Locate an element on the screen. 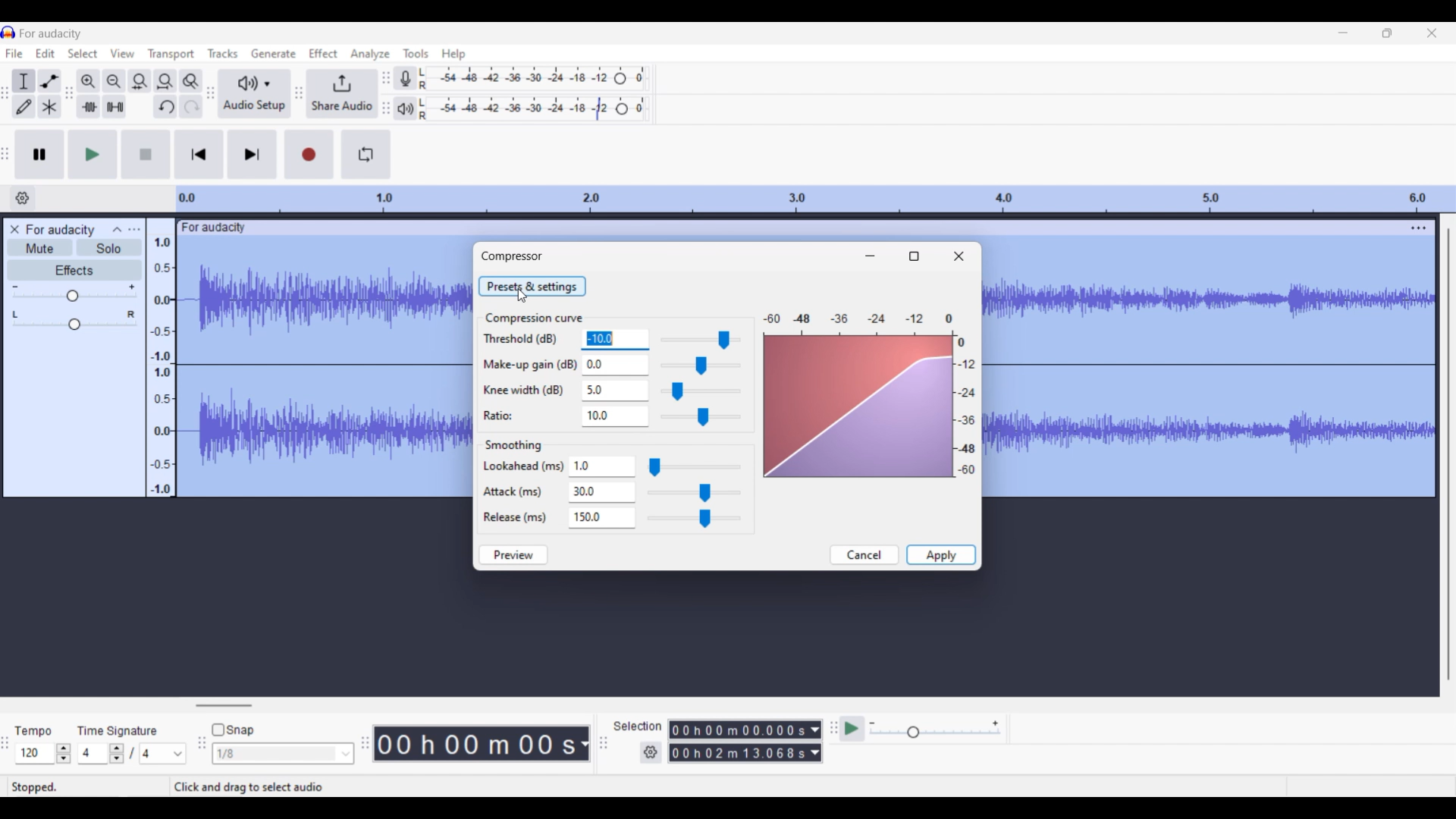 The width and height of the screenshot is (1456, 819). Horizontal slide bar is located at coordinates (224, 705).